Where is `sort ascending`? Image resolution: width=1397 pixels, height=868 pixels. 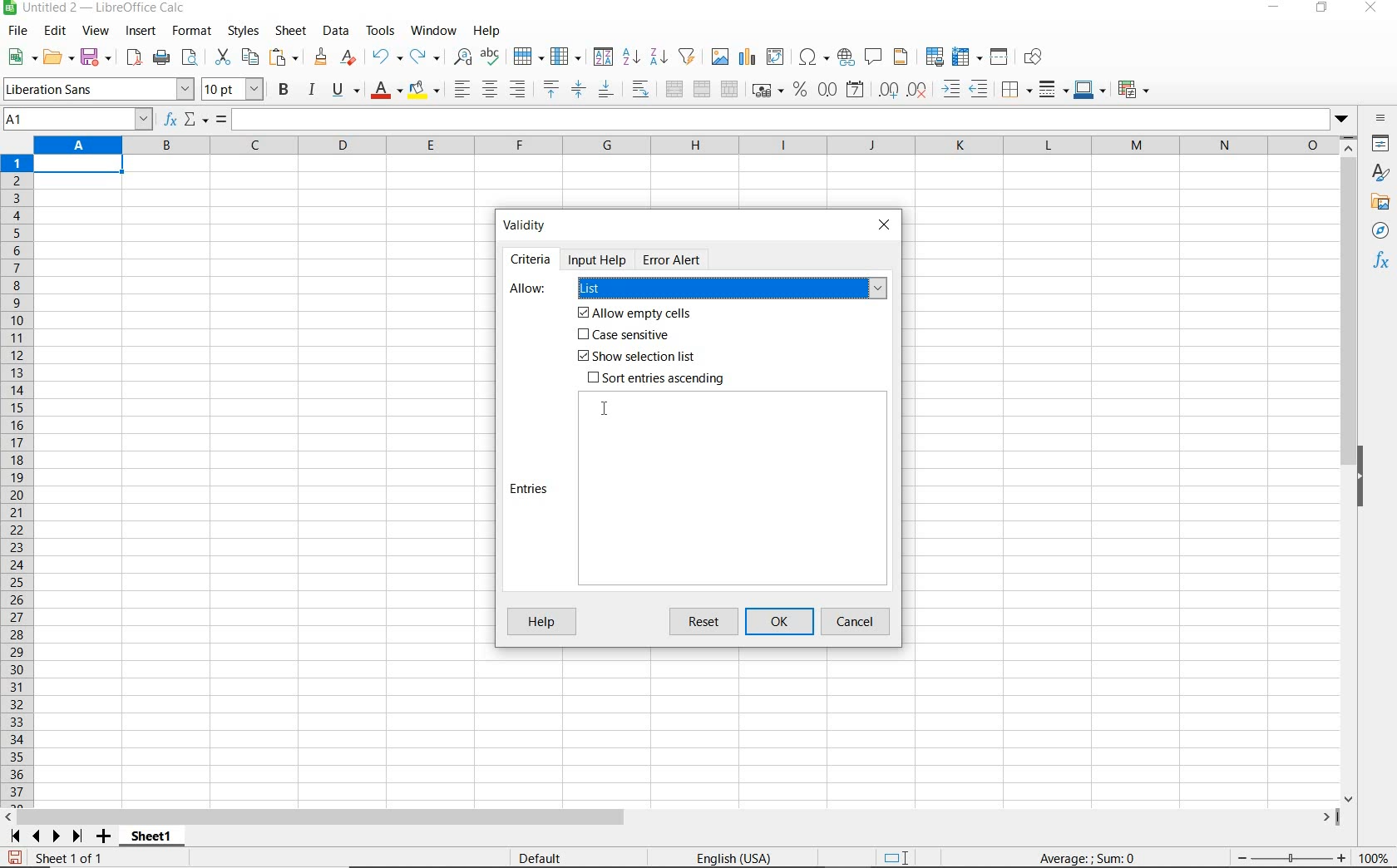
sort ascending is located at coordinates (631, 58).